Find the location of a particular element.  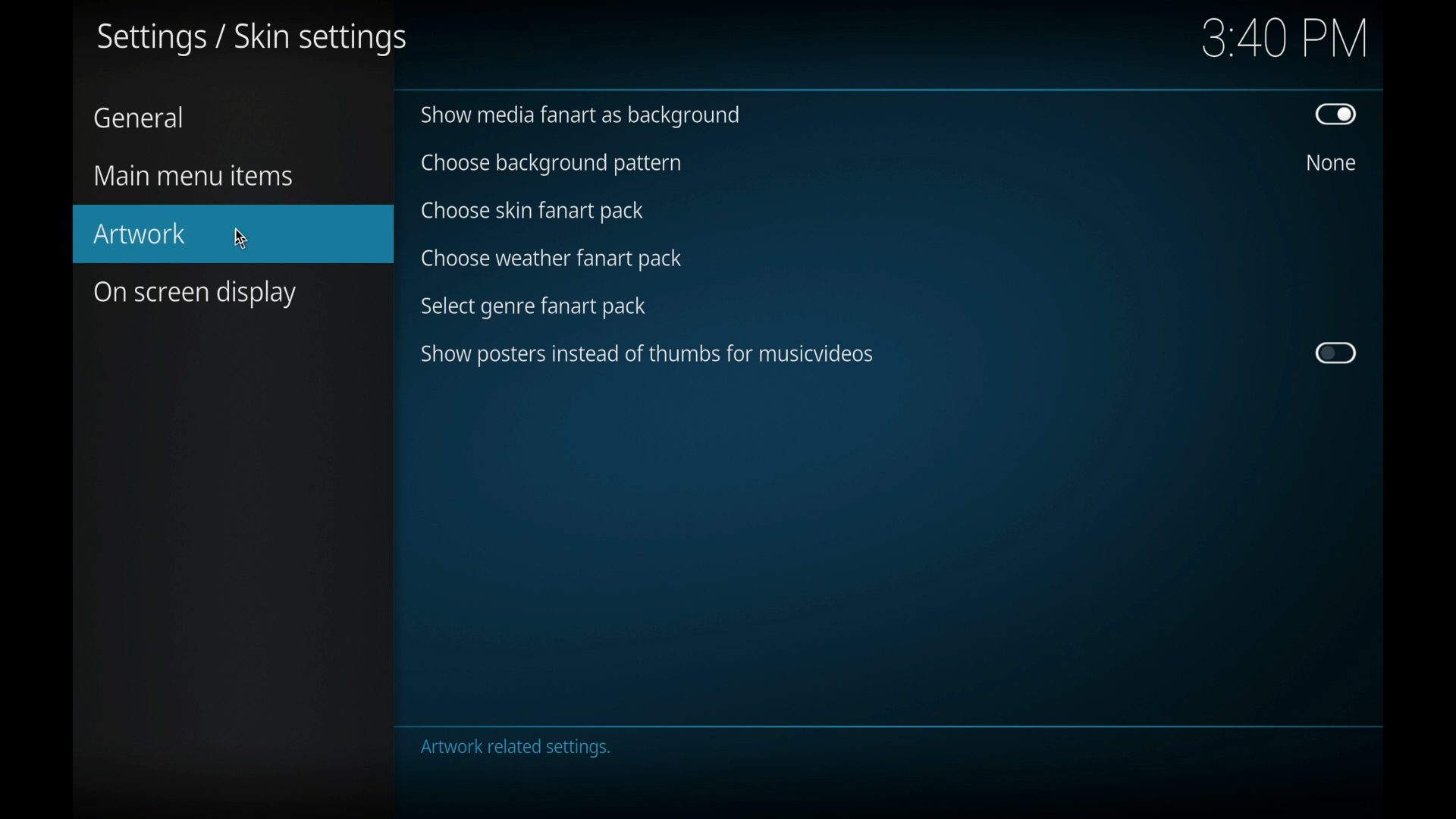

toggle button is located at coordinates (1336, 114).